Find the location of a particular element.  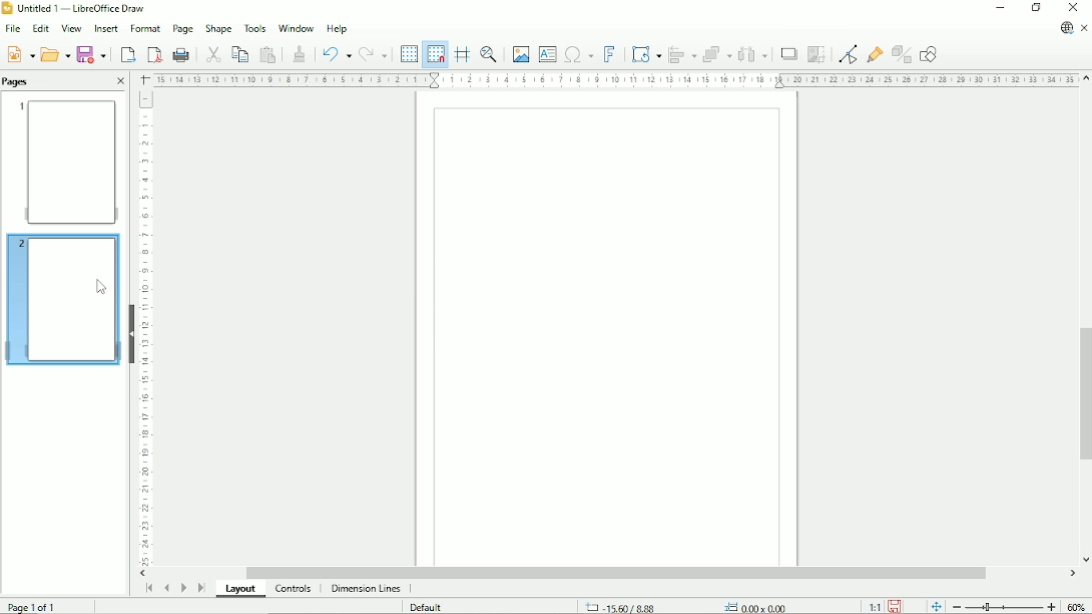

Copy is located at coordinates (239, 53).